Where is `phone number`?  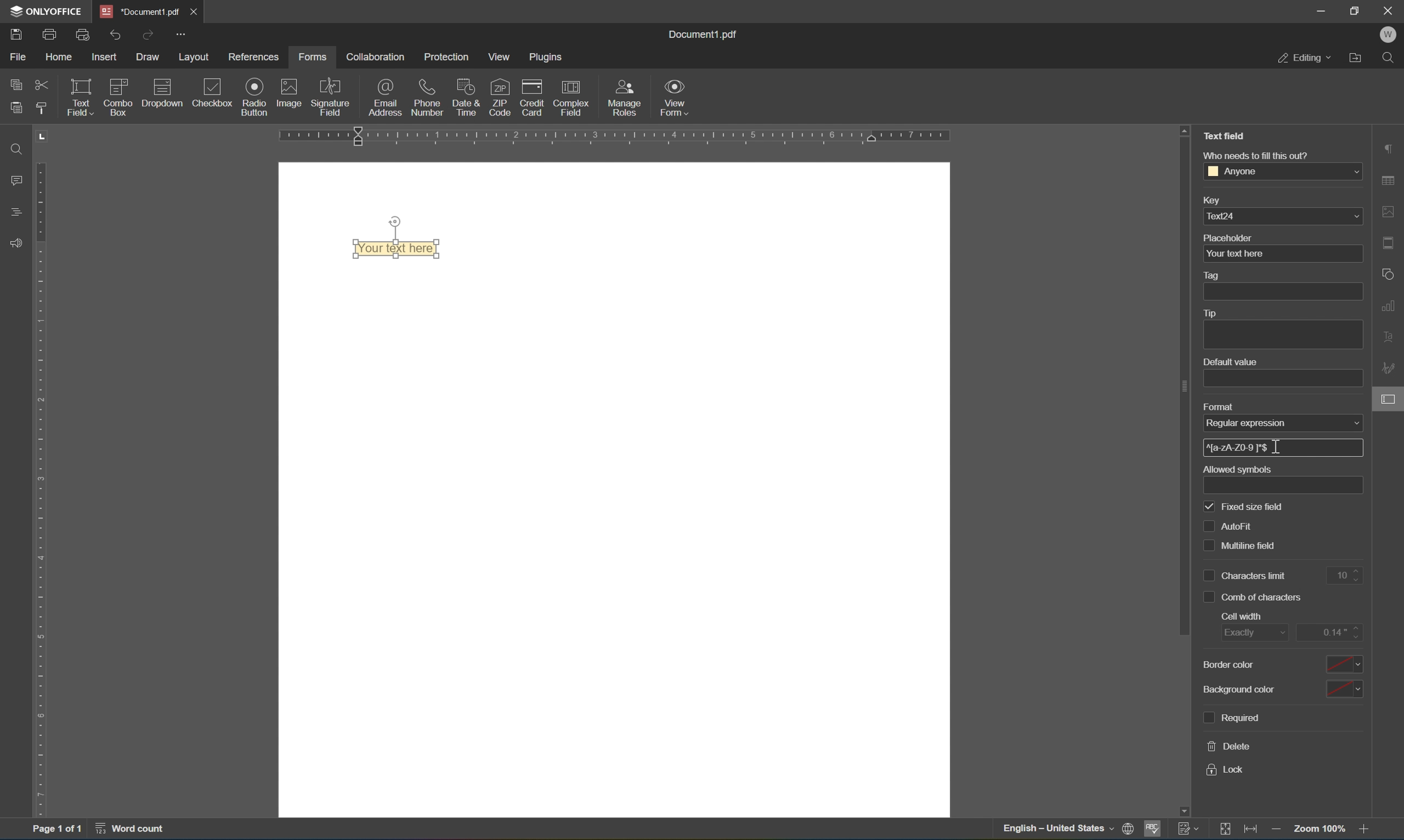
phone number is located at coordinates (427, 96).